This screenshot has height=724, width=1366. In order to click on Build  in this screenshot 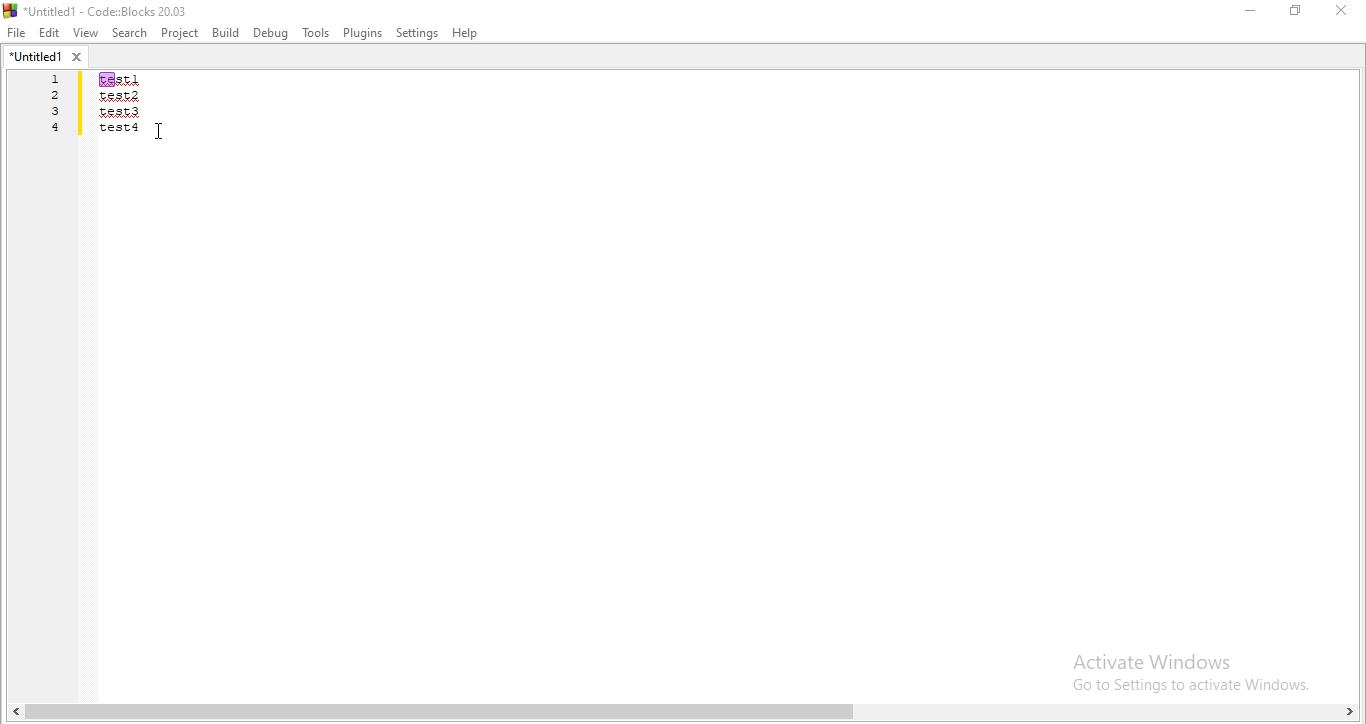, I will do `click(226, 32)`.